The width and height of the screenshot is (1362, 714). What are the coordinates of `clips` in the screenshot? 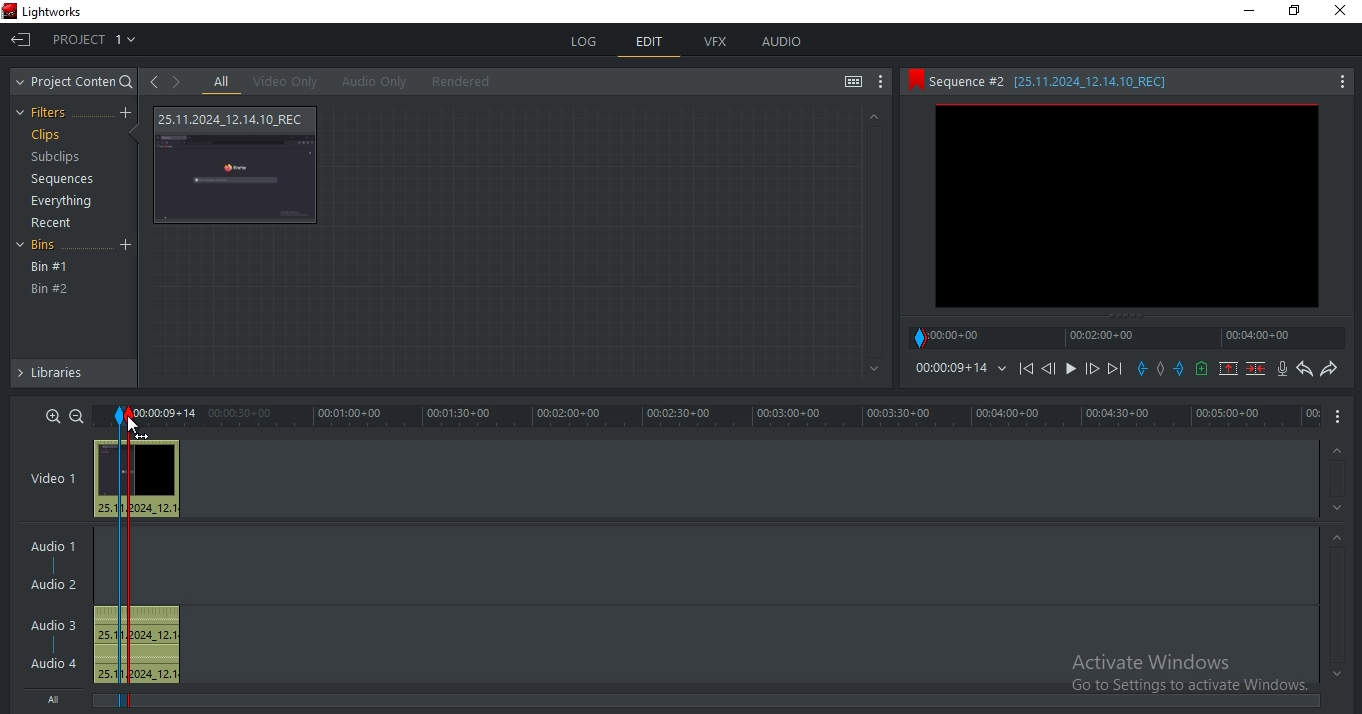 It's located at (45, 135).